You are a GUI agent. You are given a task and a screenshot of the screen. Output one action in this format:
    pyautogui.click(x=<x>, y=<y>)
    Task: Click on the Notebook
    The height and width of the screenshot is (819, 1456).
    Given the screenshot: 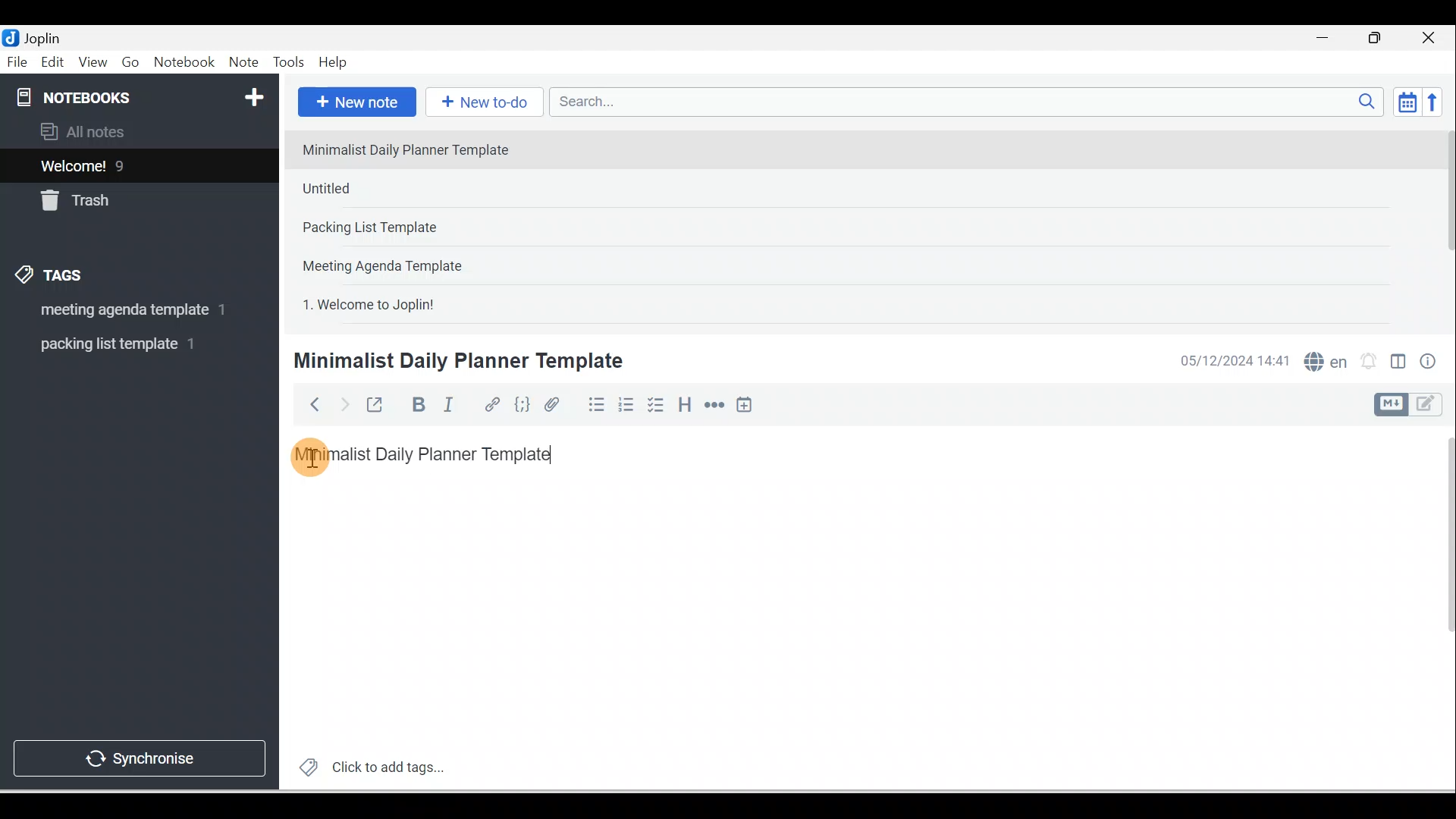 What is the action you would take?
    pyautogui.click(x=184, y=63)
    